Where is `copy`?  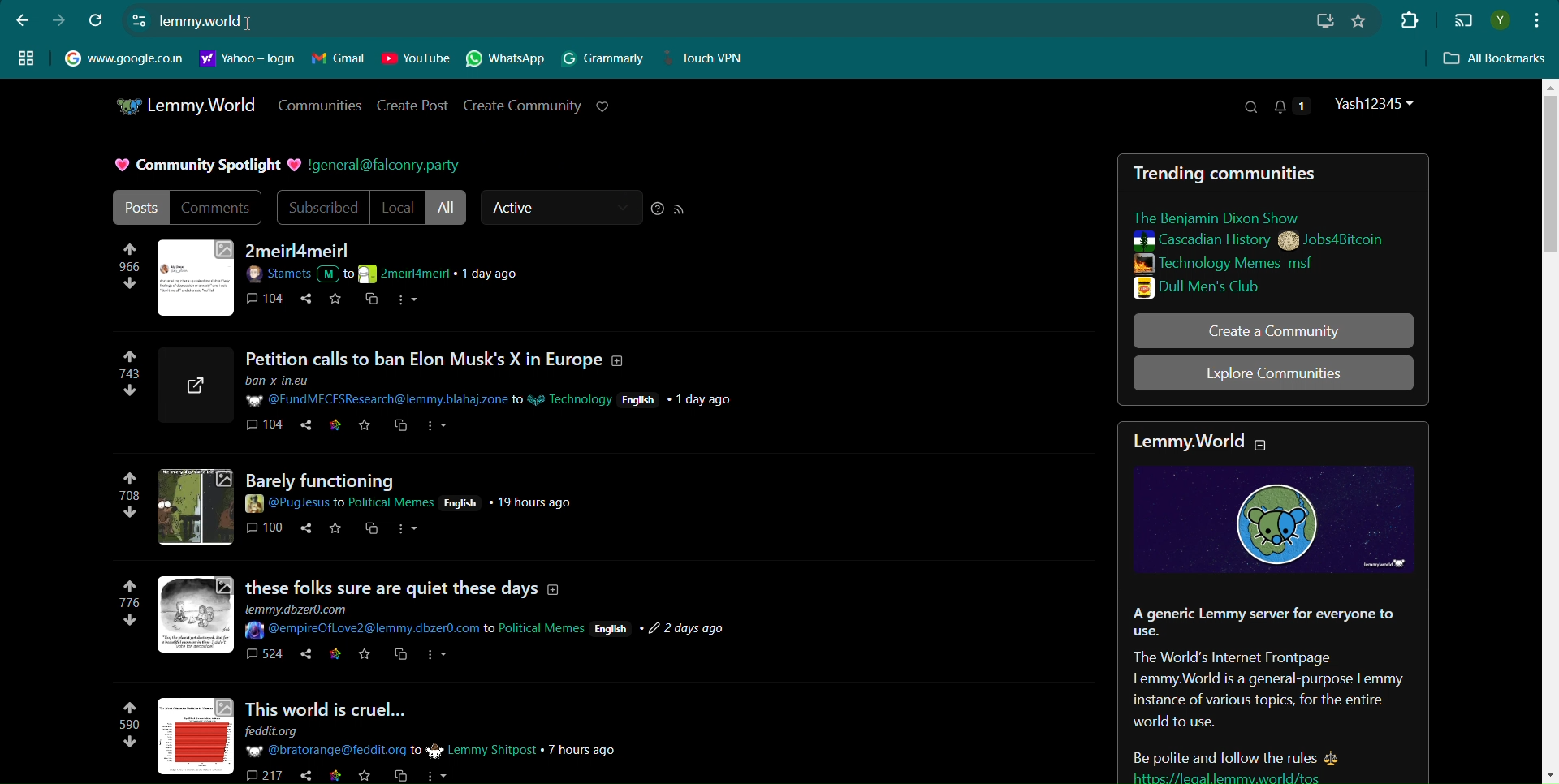
copy is located at coordinates (397, 776).